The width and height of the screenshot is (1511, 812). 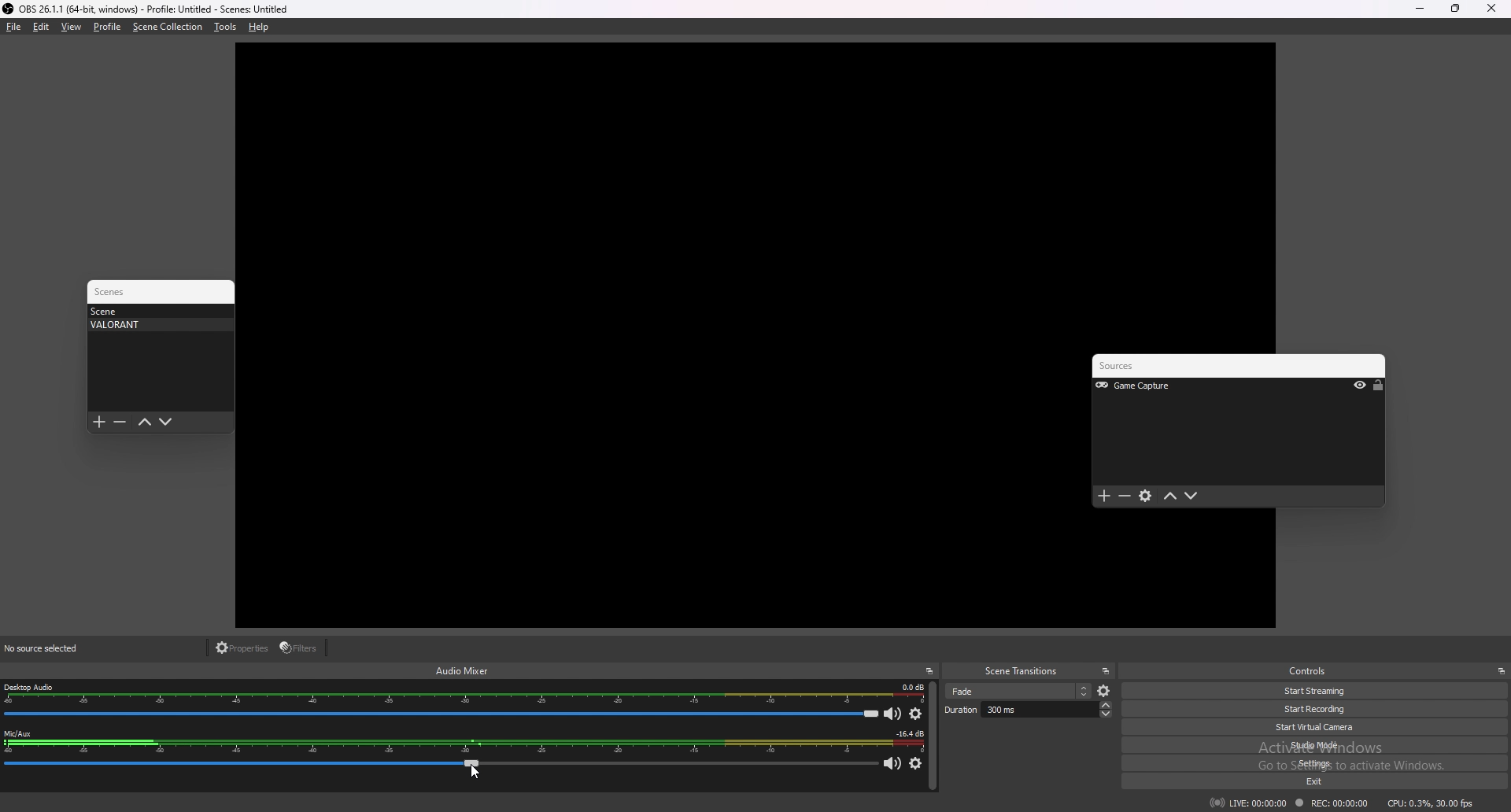 What do you see at coordinates (1419, 9) in the screenshot?
I see `minimize` at bounding box center [1419, 9].